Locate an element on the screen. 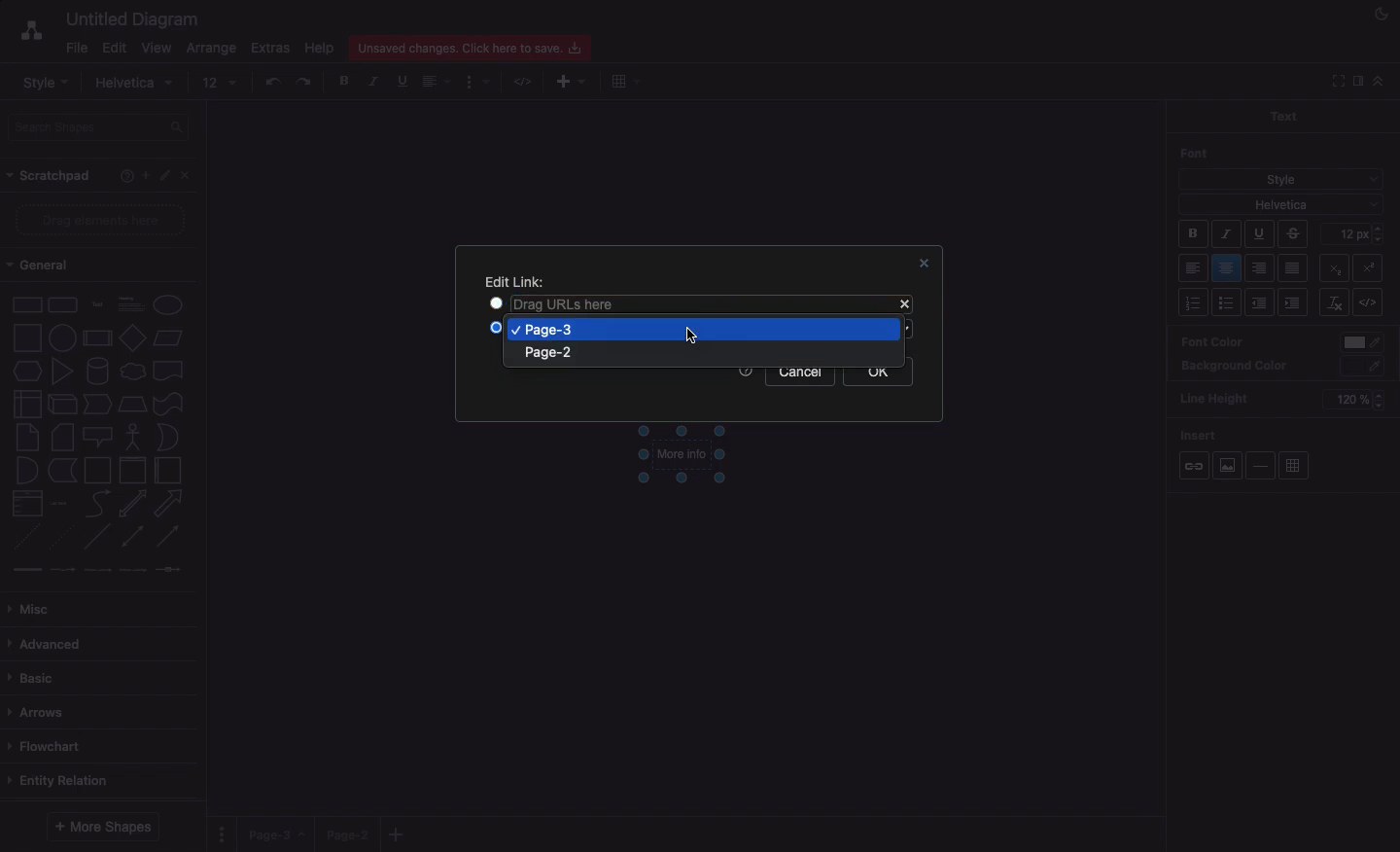 Image resolution: width=1400 pixels, height=852 pixels. triangle is located at coordinates (63, 371).